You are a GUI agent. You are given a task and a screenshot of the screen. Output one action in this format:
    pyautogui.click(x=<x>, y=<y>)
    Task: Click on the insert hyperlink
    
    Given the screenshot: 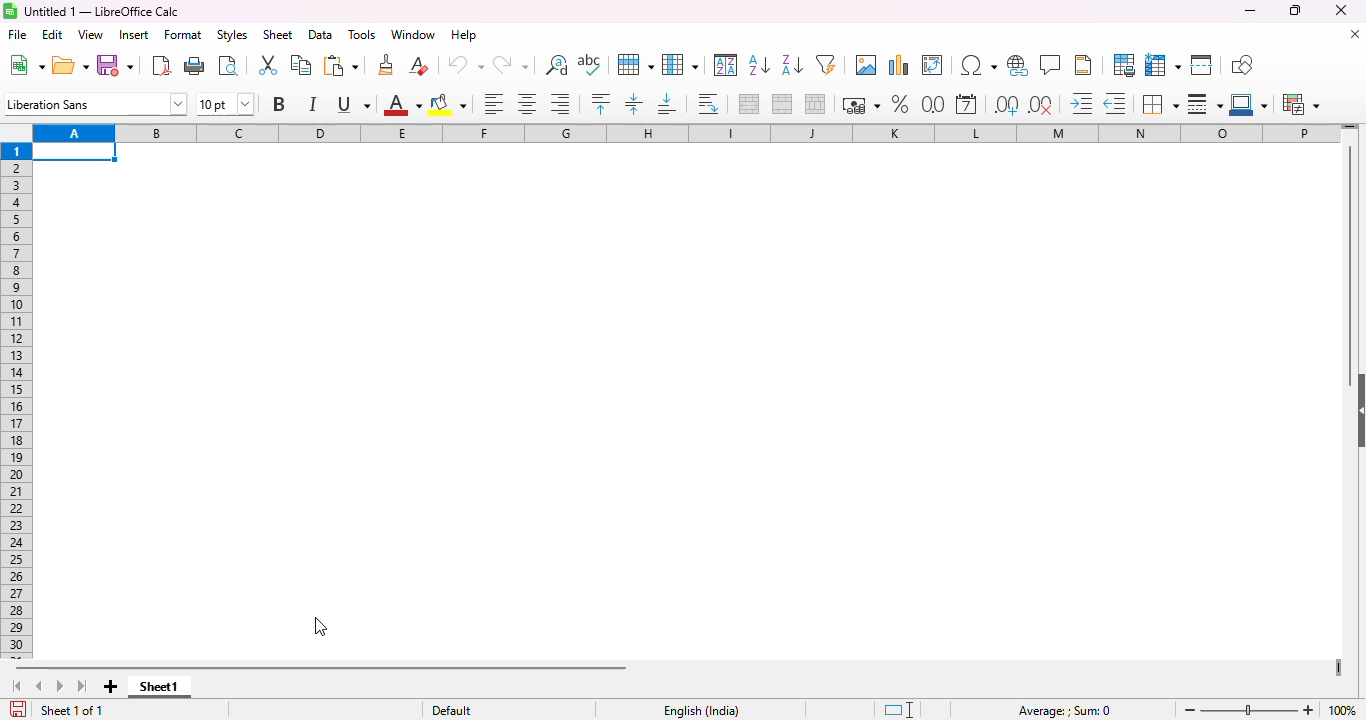 What is the action you would take?
    pyautogui.click(x=1018, y=65)
    